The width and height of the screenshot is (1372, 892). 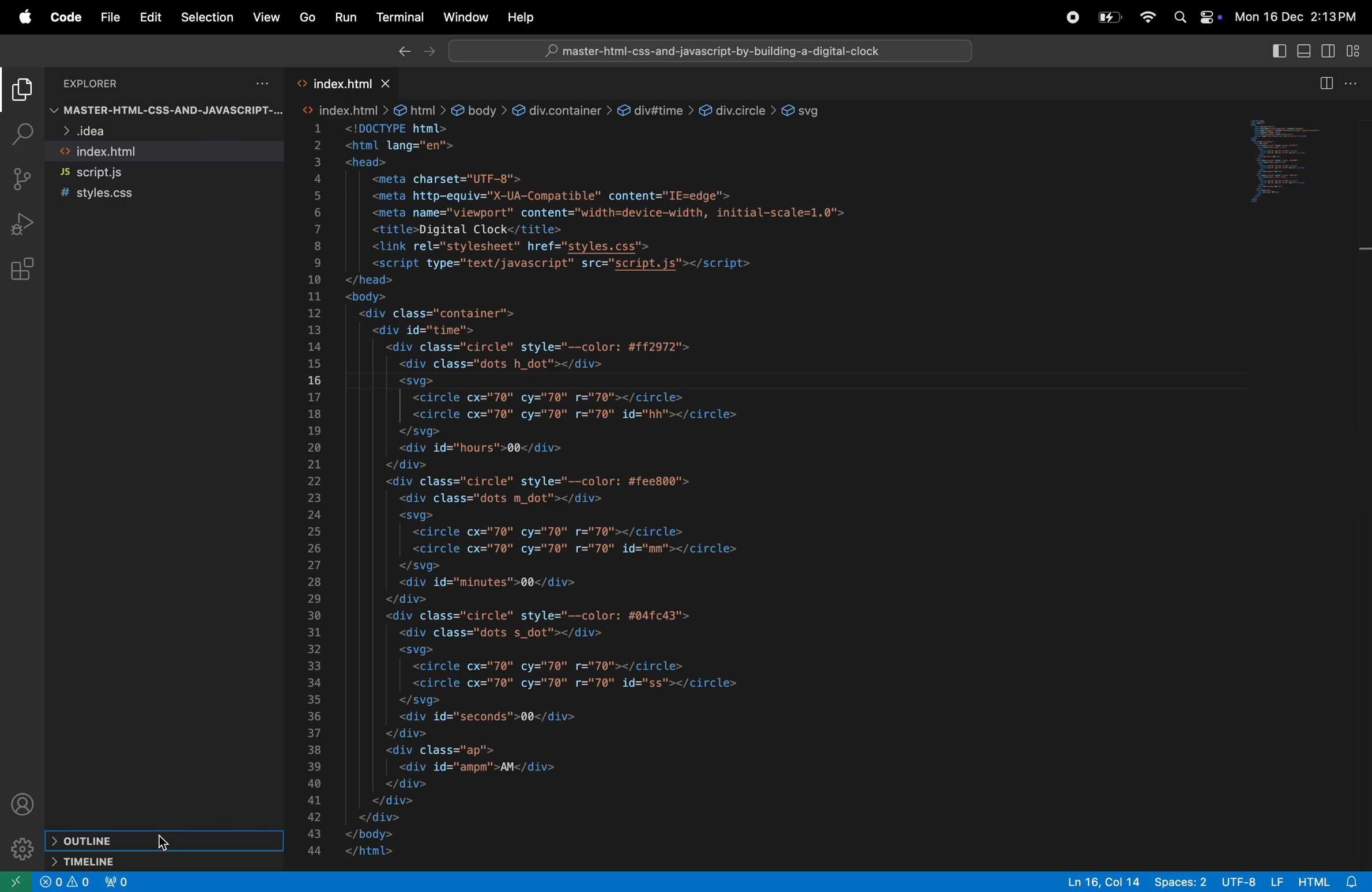 What do you see at coordinates (1143, 17) in the screenshot?
I see `wifi` at bounding box center [1143, 17].